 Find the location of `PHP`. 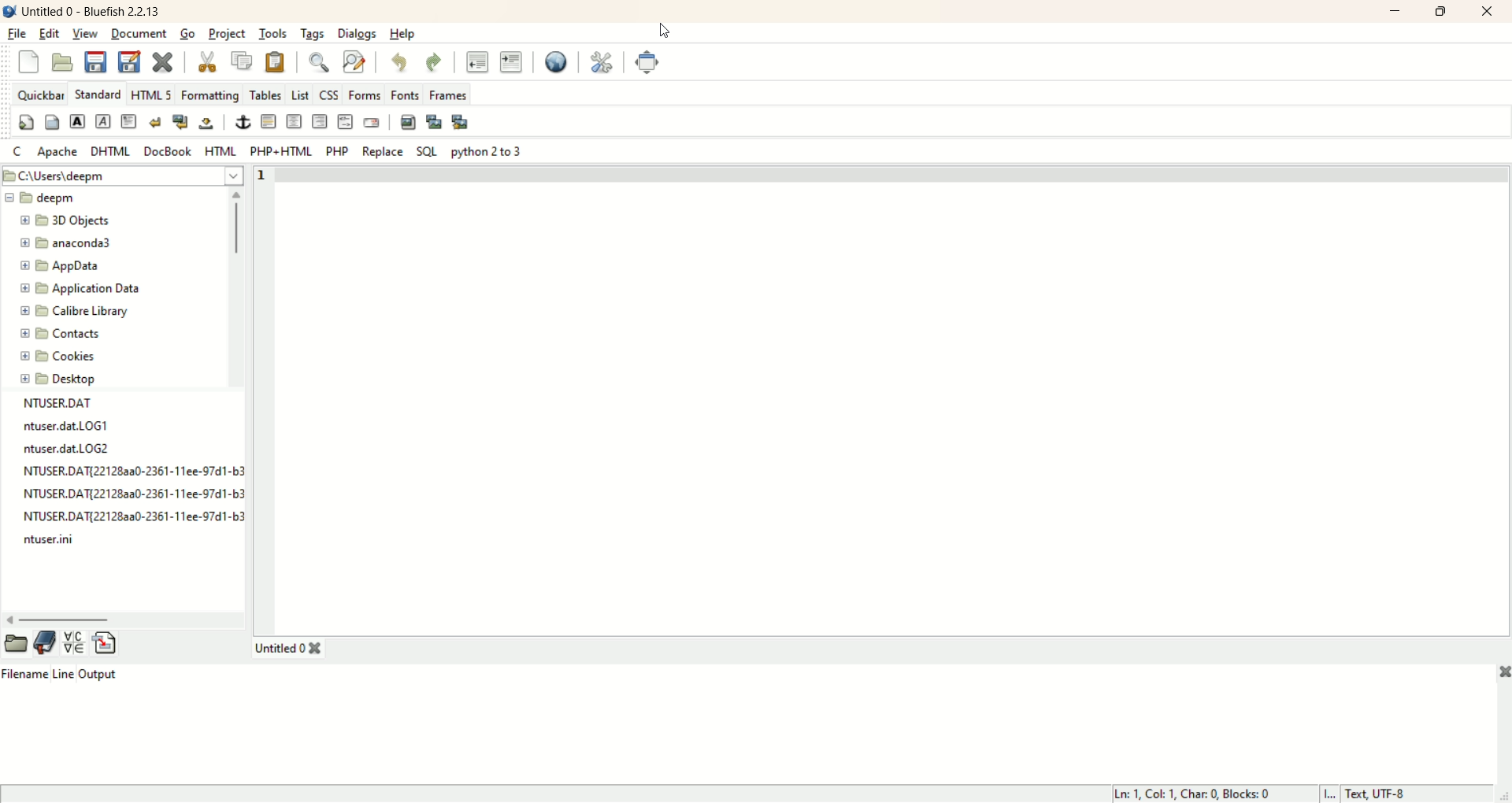

PHP is located at coordinates (339, 152).